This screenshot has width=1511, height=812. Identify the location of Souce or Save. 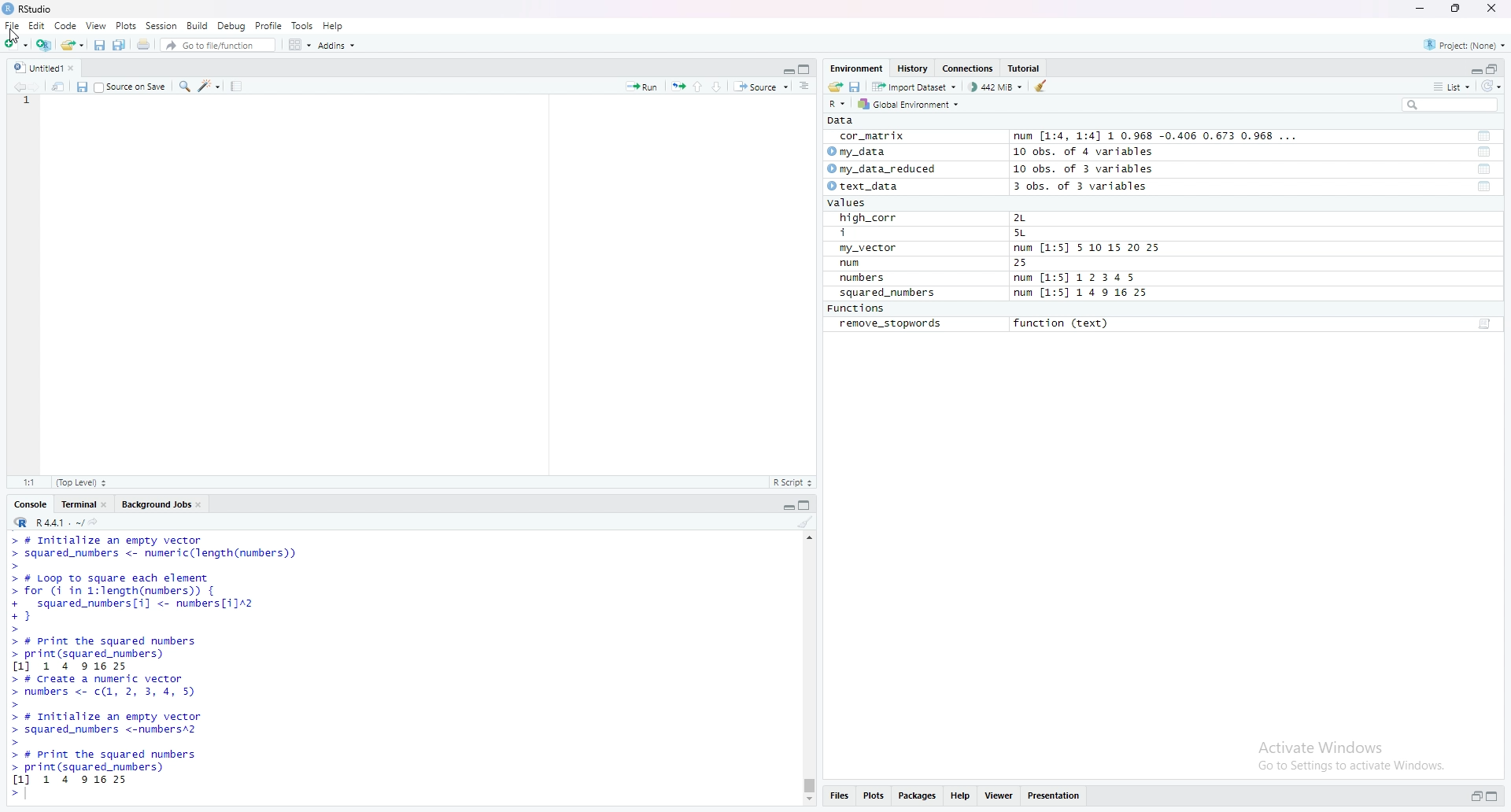
(132, 87).